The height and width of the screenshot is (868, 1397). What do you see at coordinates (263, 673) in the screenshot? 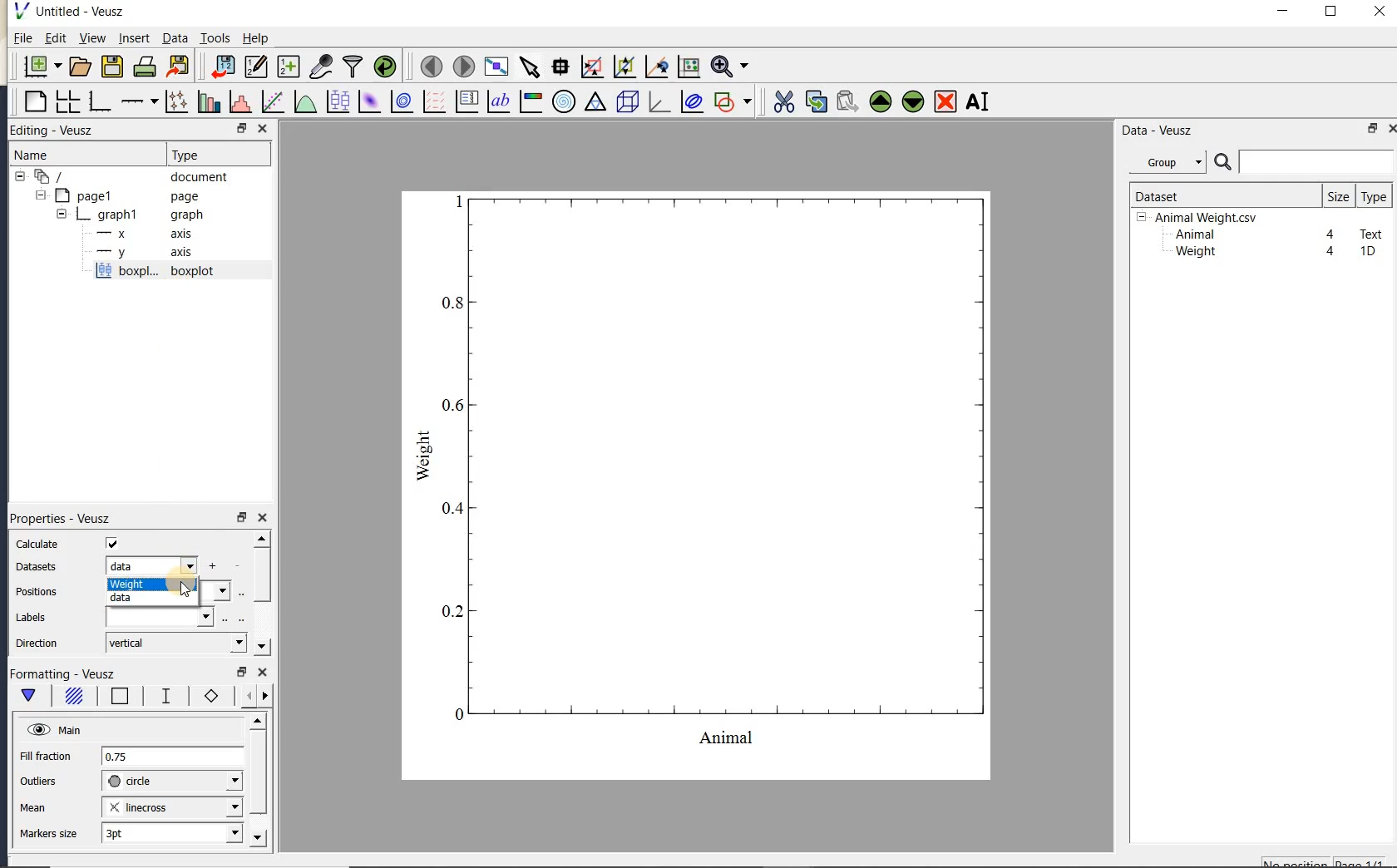
I see `close` at bounding box center [263, 673].